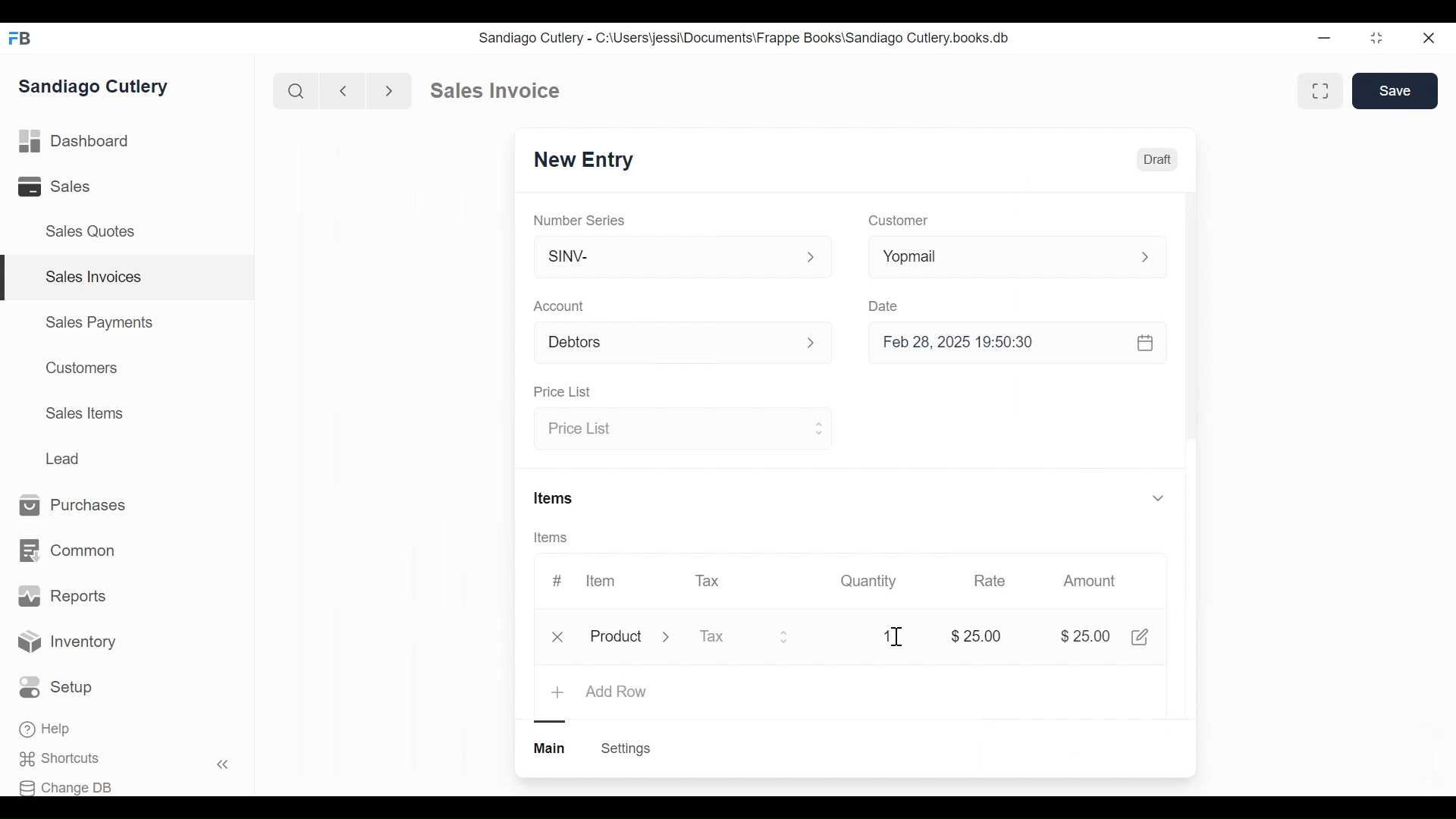 Image resolution: width=1456 pixels, height=819 pixels. What do you see at coordinates (1395, 91) in the screenshot?
I see `Save ` at bounding box center [1395, 91].